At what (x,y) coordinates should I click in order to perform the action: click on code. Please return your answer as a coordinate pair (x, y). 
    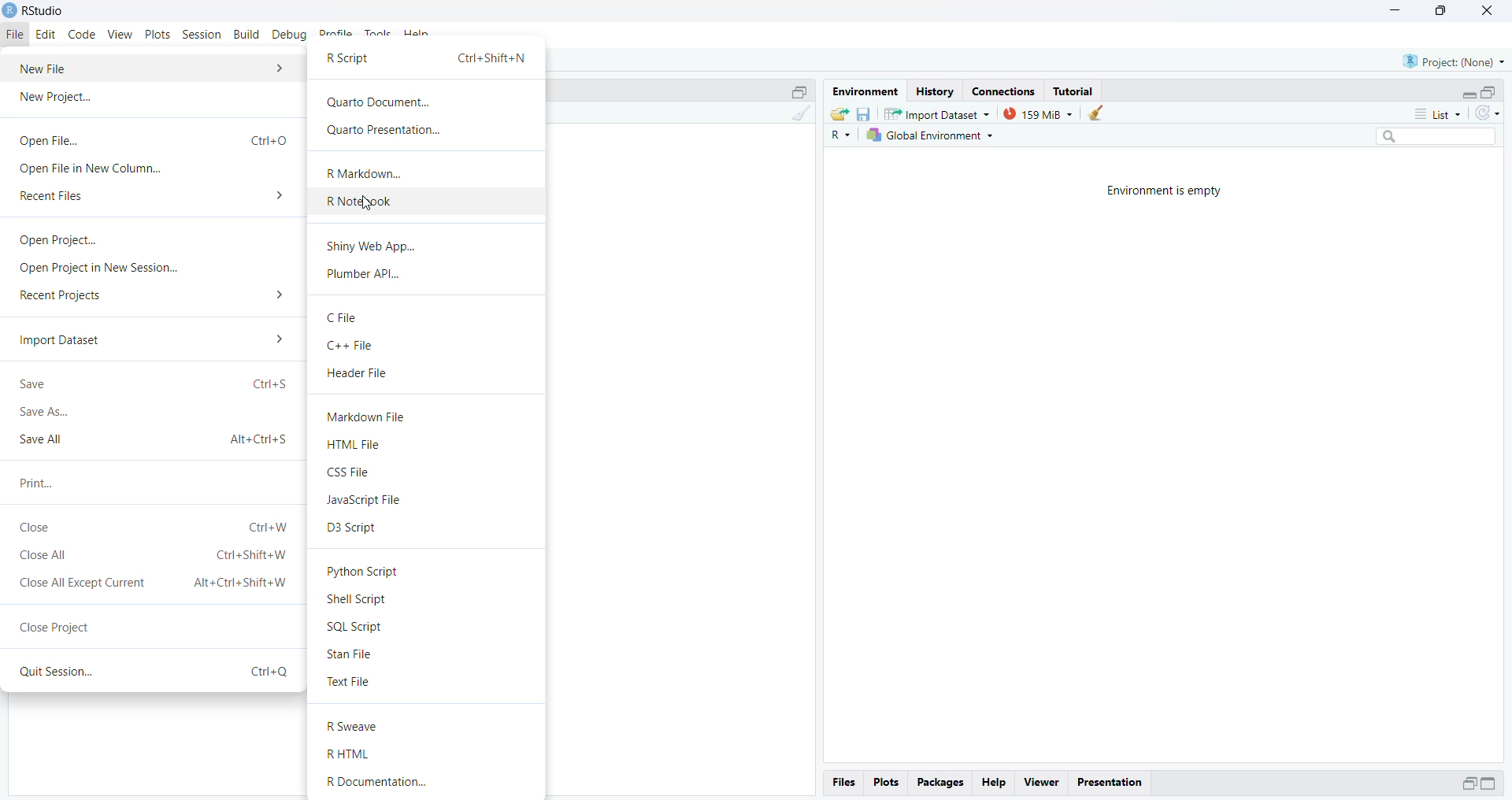
    Looking at the image, I should click on (83, 34).